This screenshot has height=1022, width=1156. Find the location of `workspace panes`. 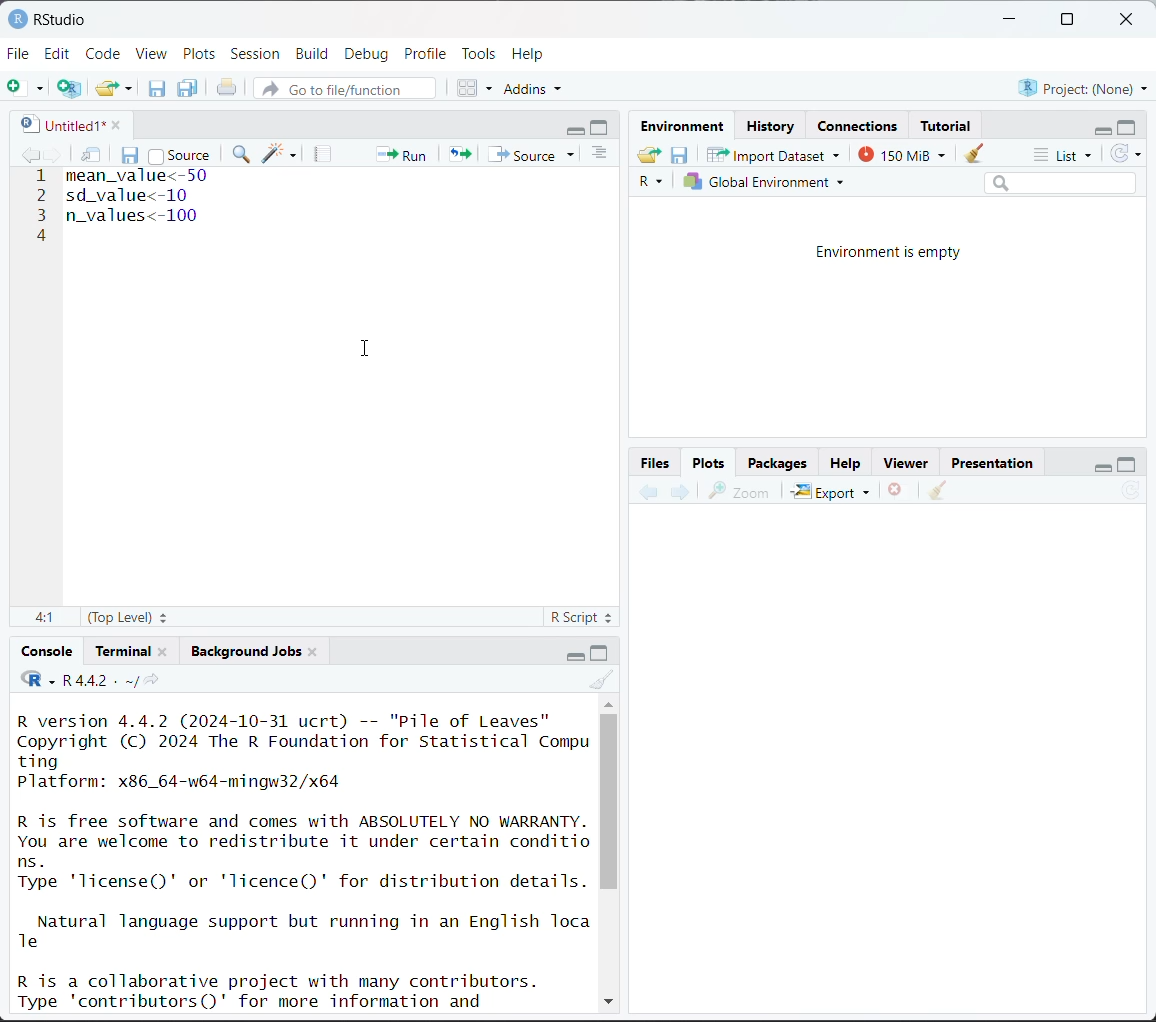

workspace panes is located at coordinates (476, 87).